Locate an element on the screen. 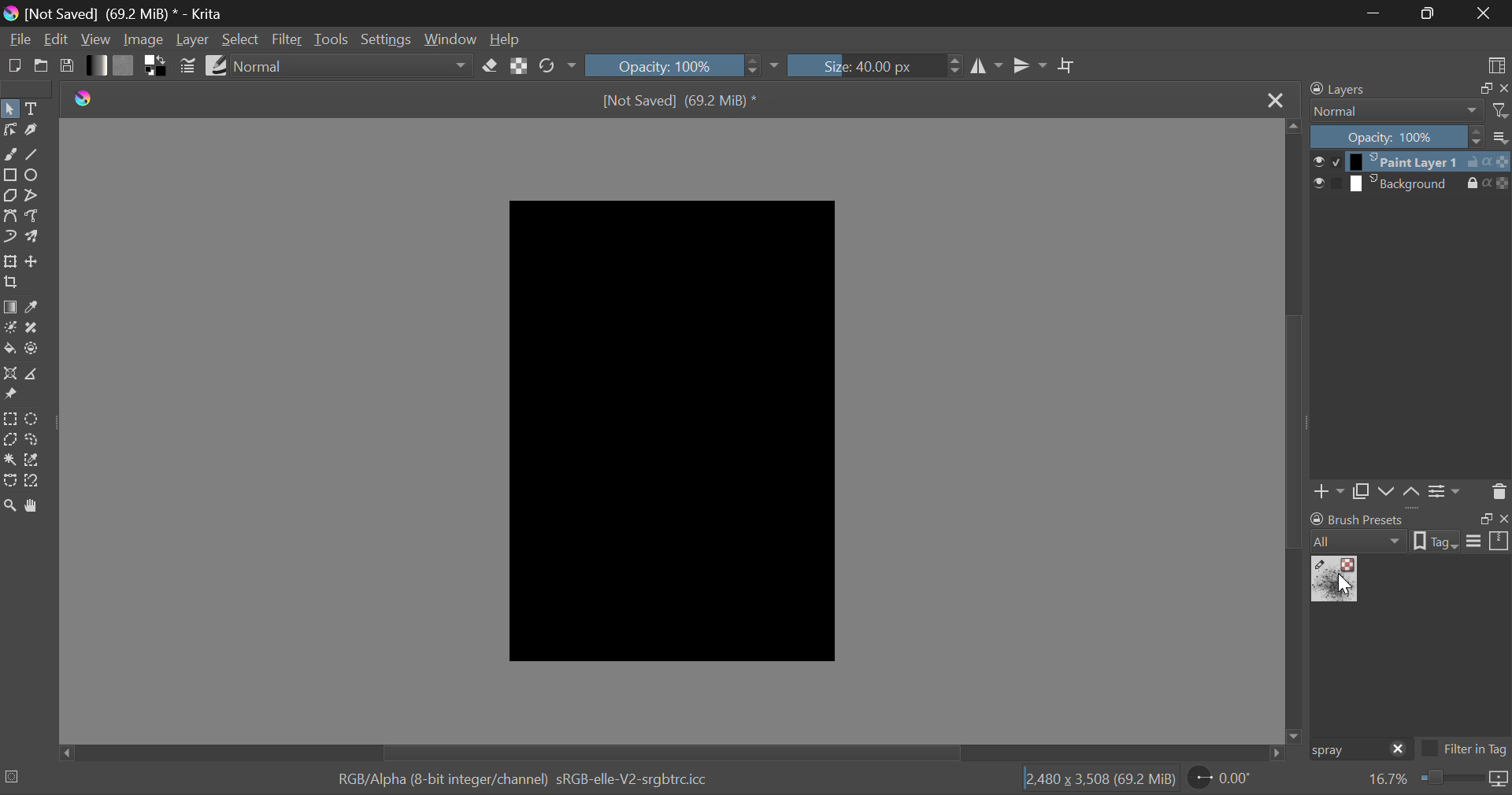 The image size is (1512, 795). Polygon Selection is located at coordinates (10, 438).